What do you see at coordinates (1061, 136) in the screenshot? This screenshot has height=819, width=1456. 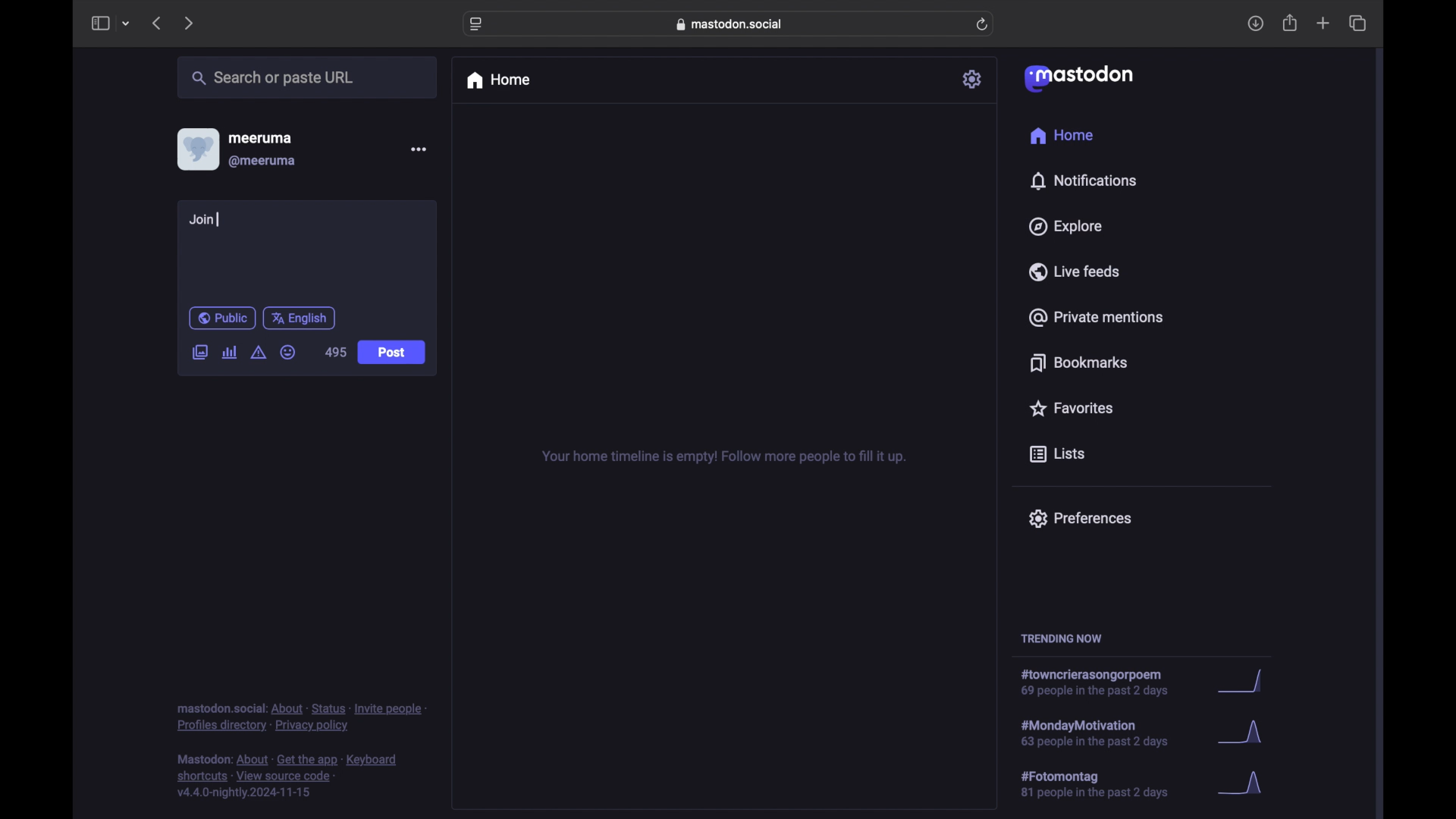 I see `home` at bounding box center [1061, 136].